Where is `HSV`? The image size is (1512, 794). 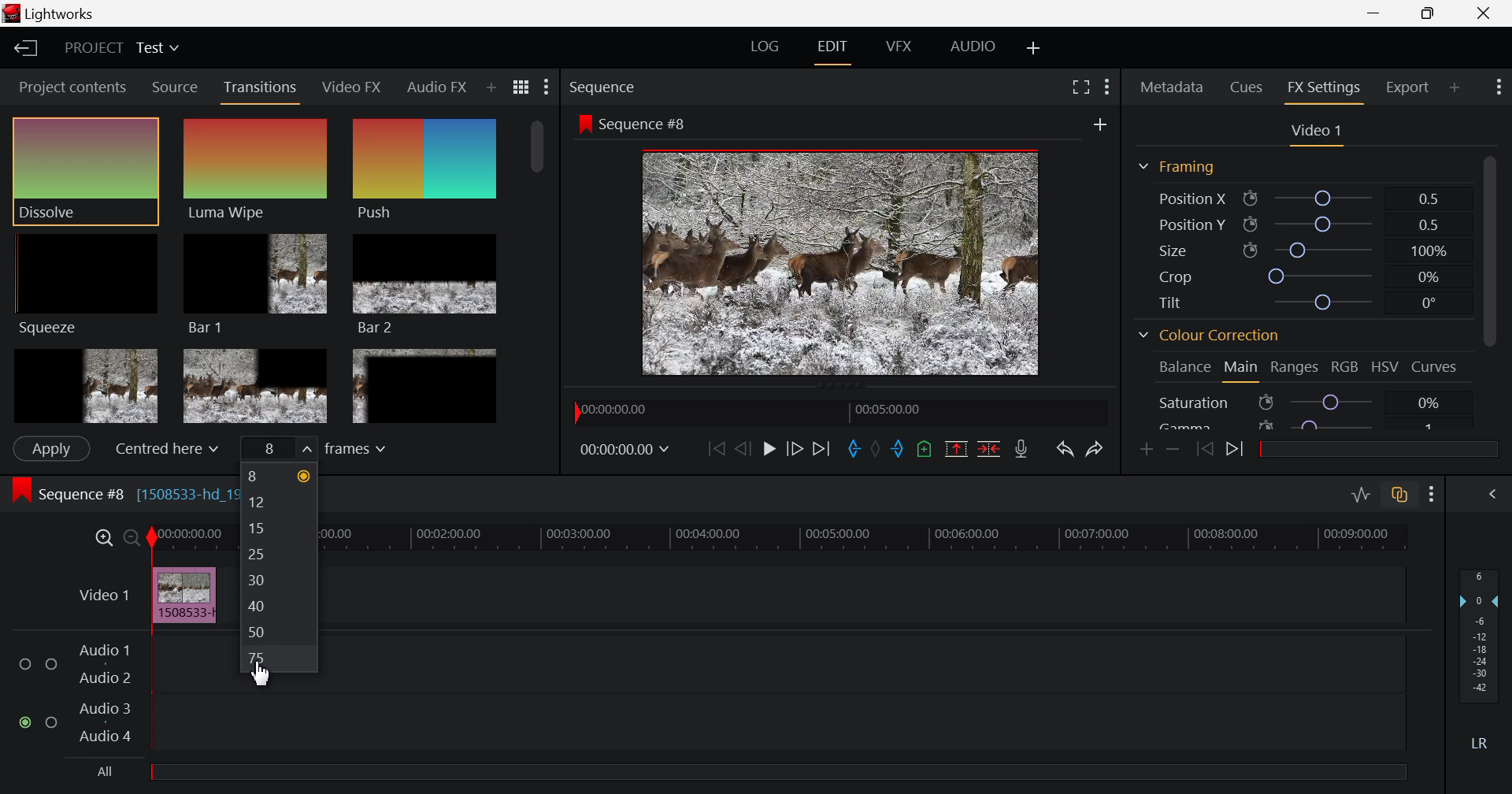 HSV is located at coordinates (1388, 369).